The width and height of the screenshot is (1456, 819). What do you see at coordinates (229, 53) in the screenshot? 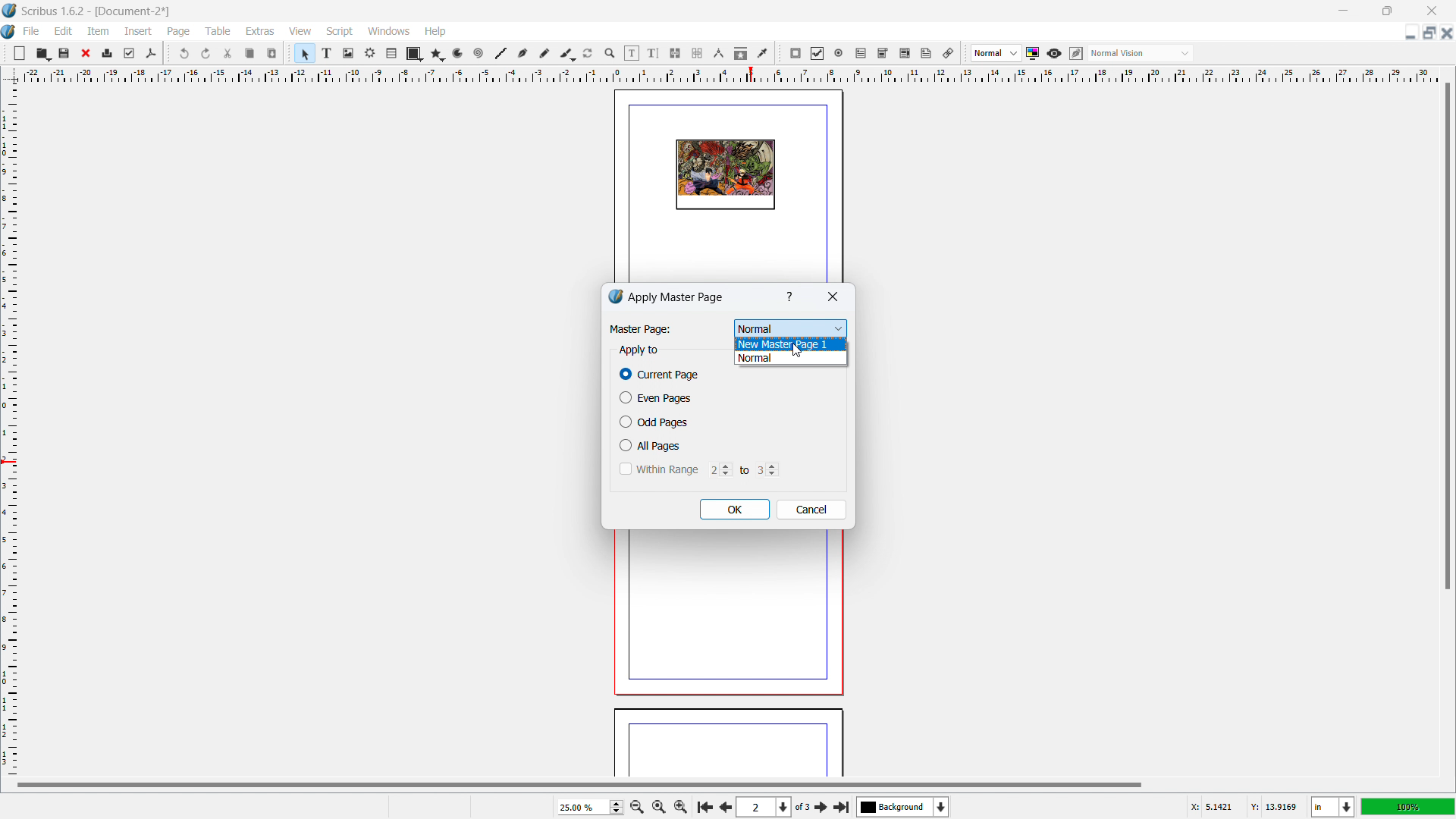
I see `cut` at bounding box center [229, 53].